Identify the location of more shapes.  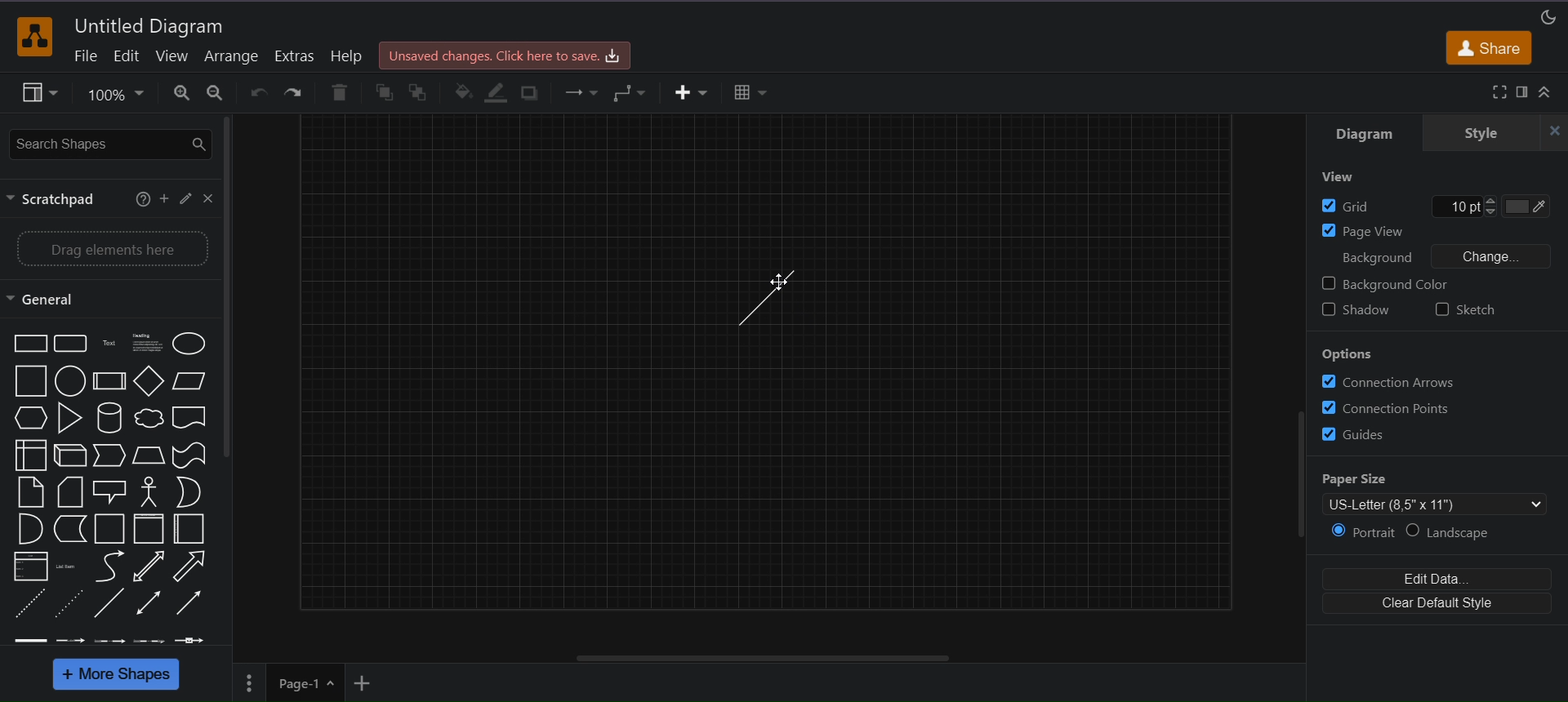
(115, 675).